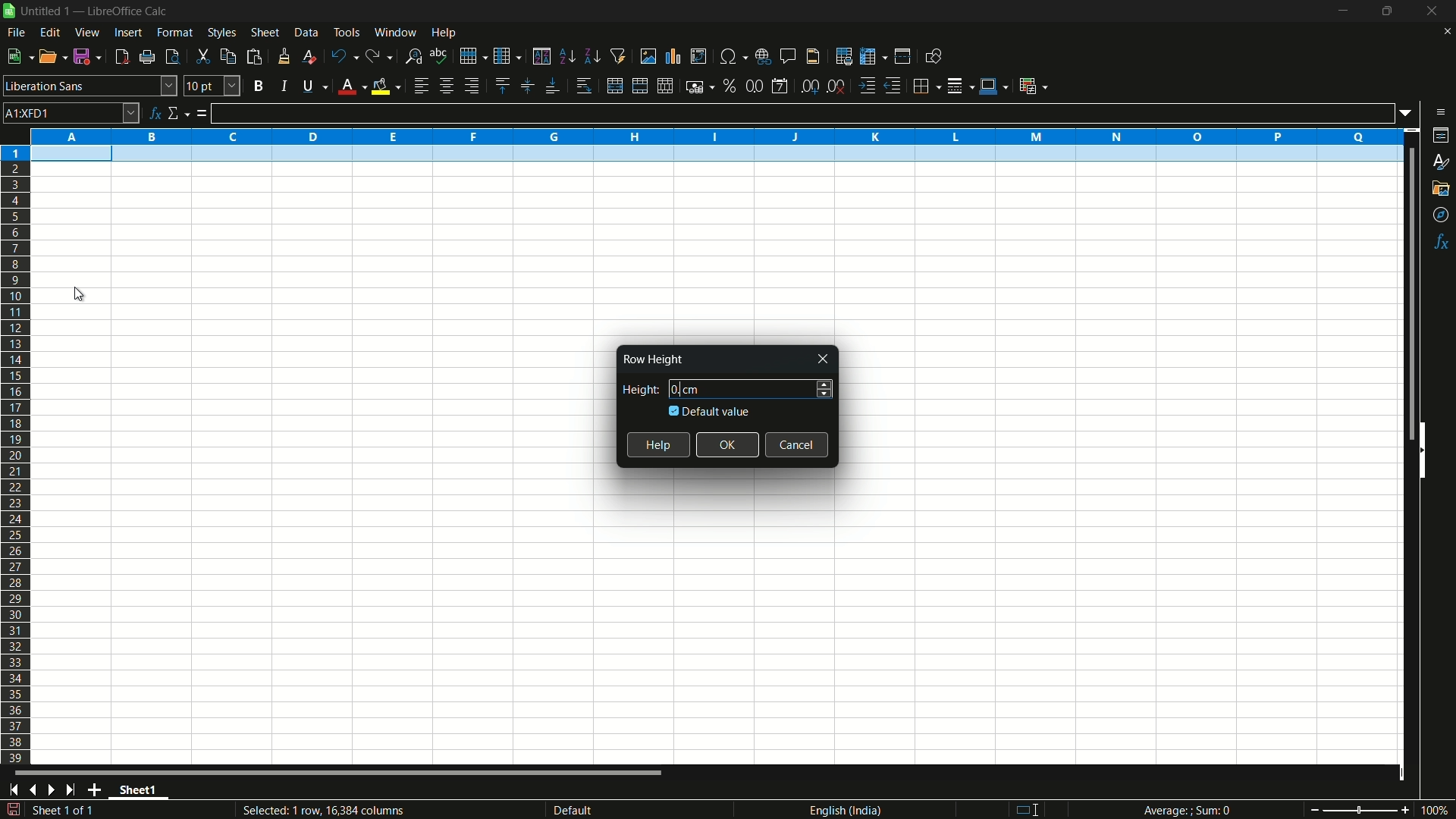  I want to click on cut, so click(202, 56).